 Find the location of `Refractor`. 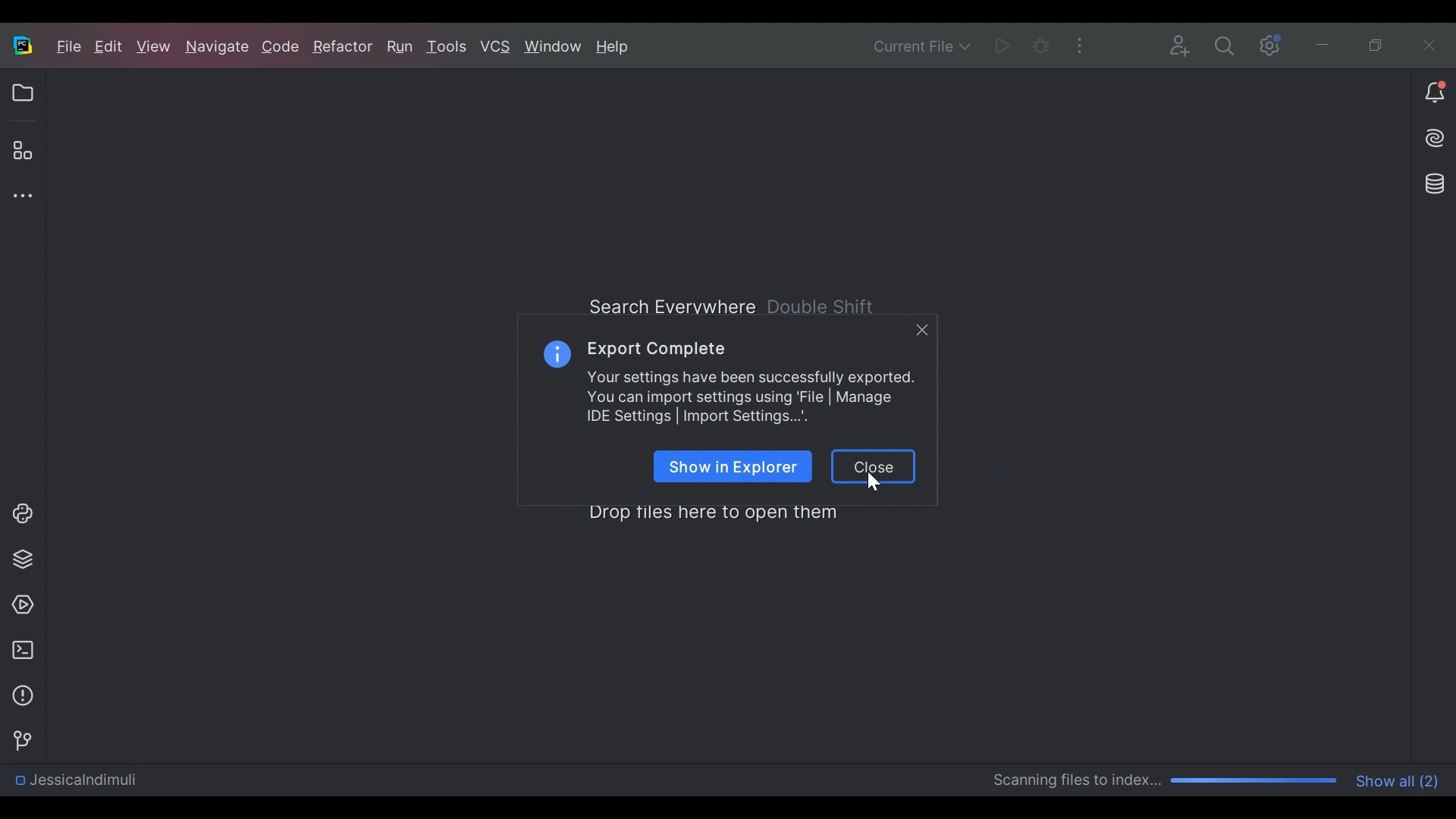

Refractor is located at coordinates (342, 50).